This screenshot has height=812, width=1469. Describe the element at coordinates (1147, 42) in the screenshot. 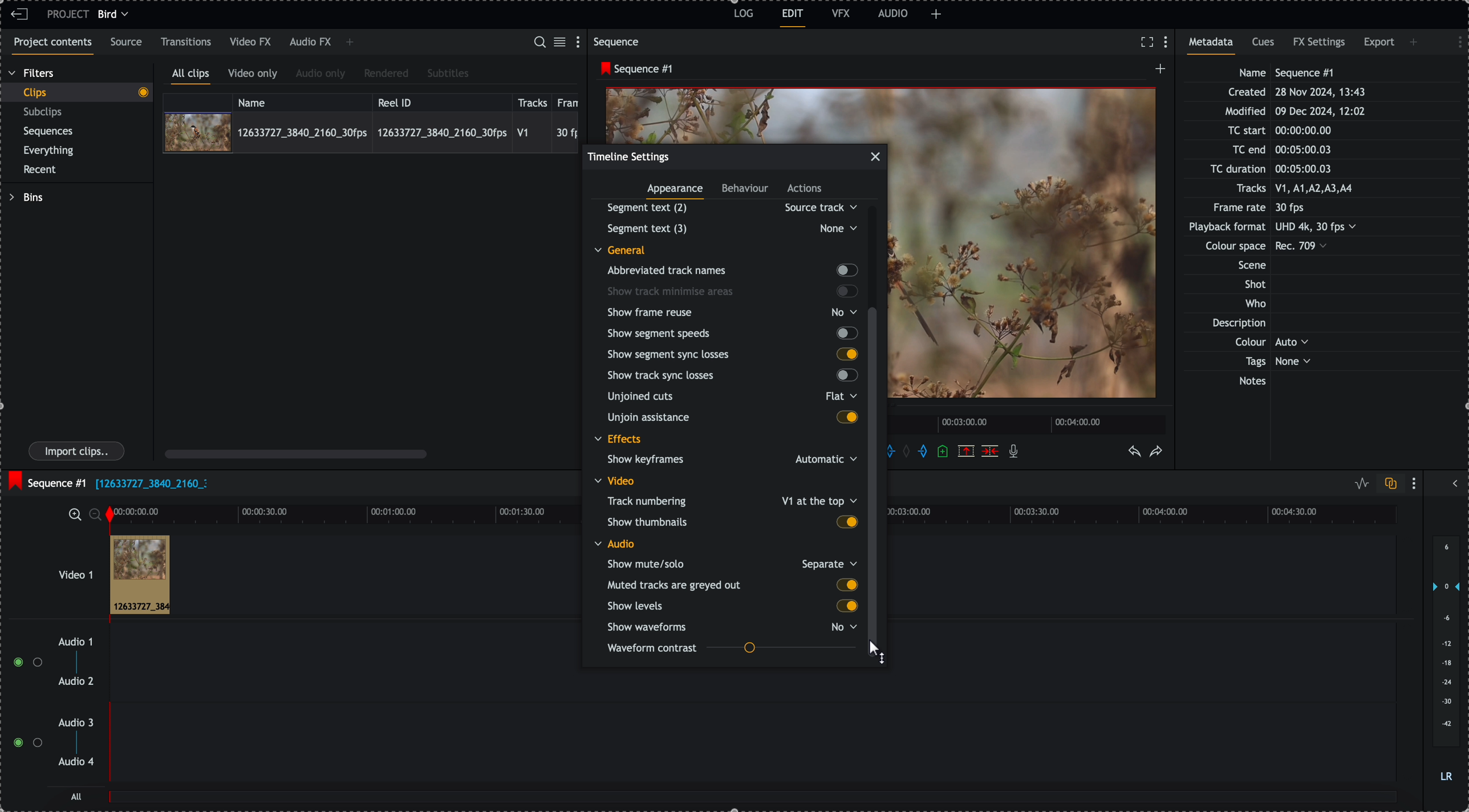

I see `fullscreen` at that location.